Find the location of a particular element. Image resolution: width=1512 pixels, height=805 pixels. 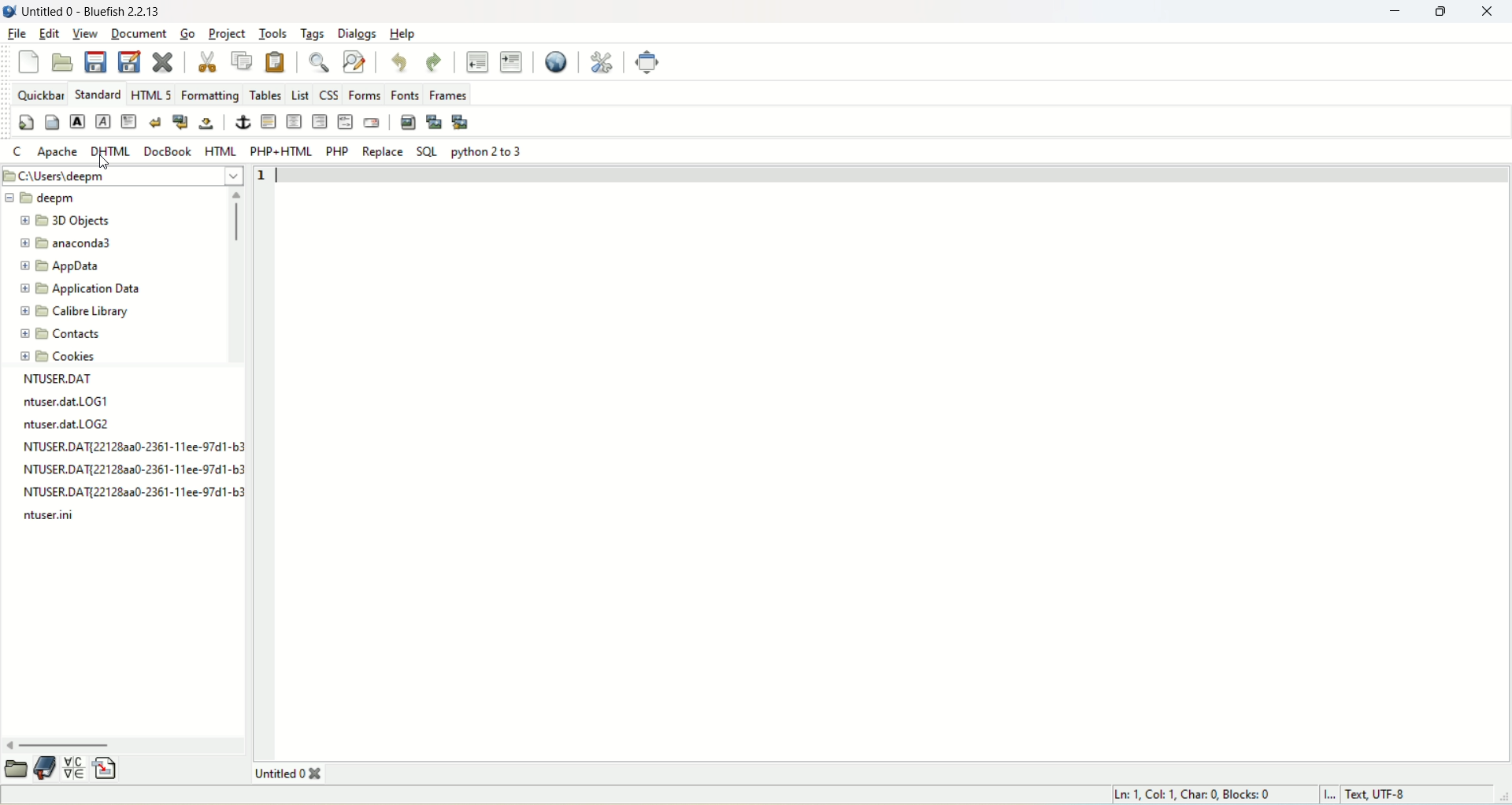

non-breaking space is located at coordinates (206, 124).